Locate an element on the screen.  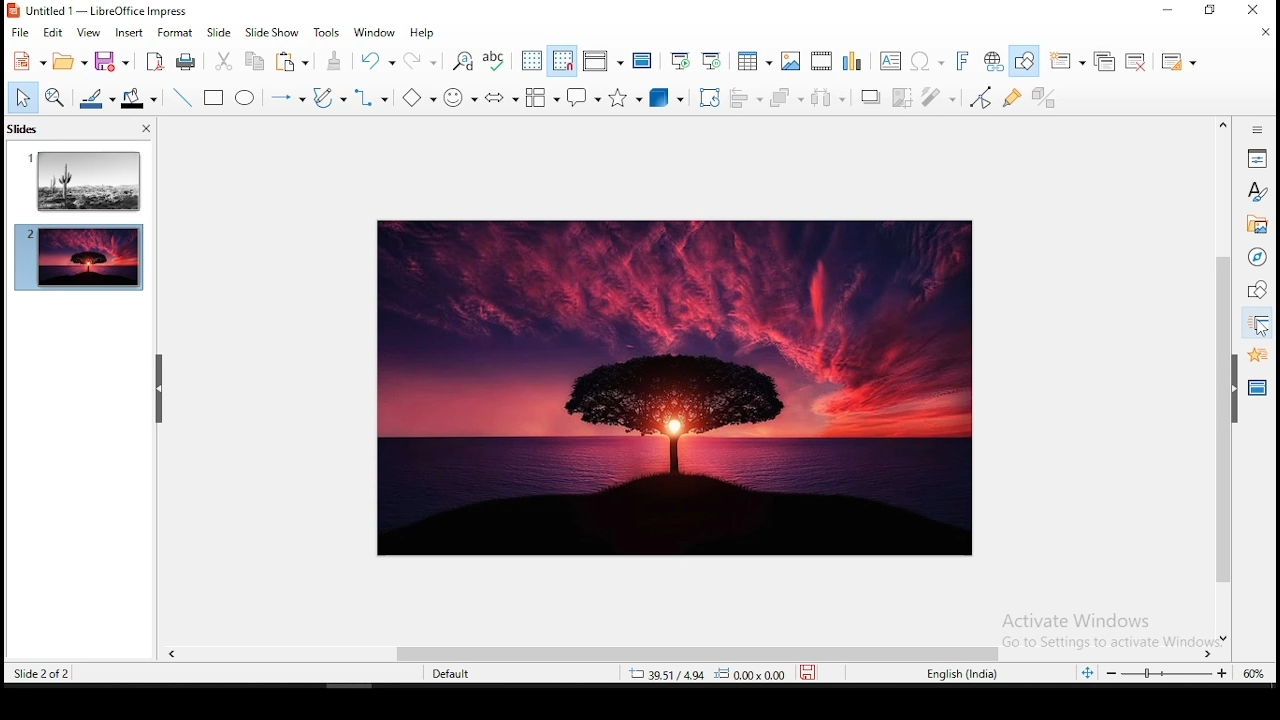
save is located at coordinates (111, 62).